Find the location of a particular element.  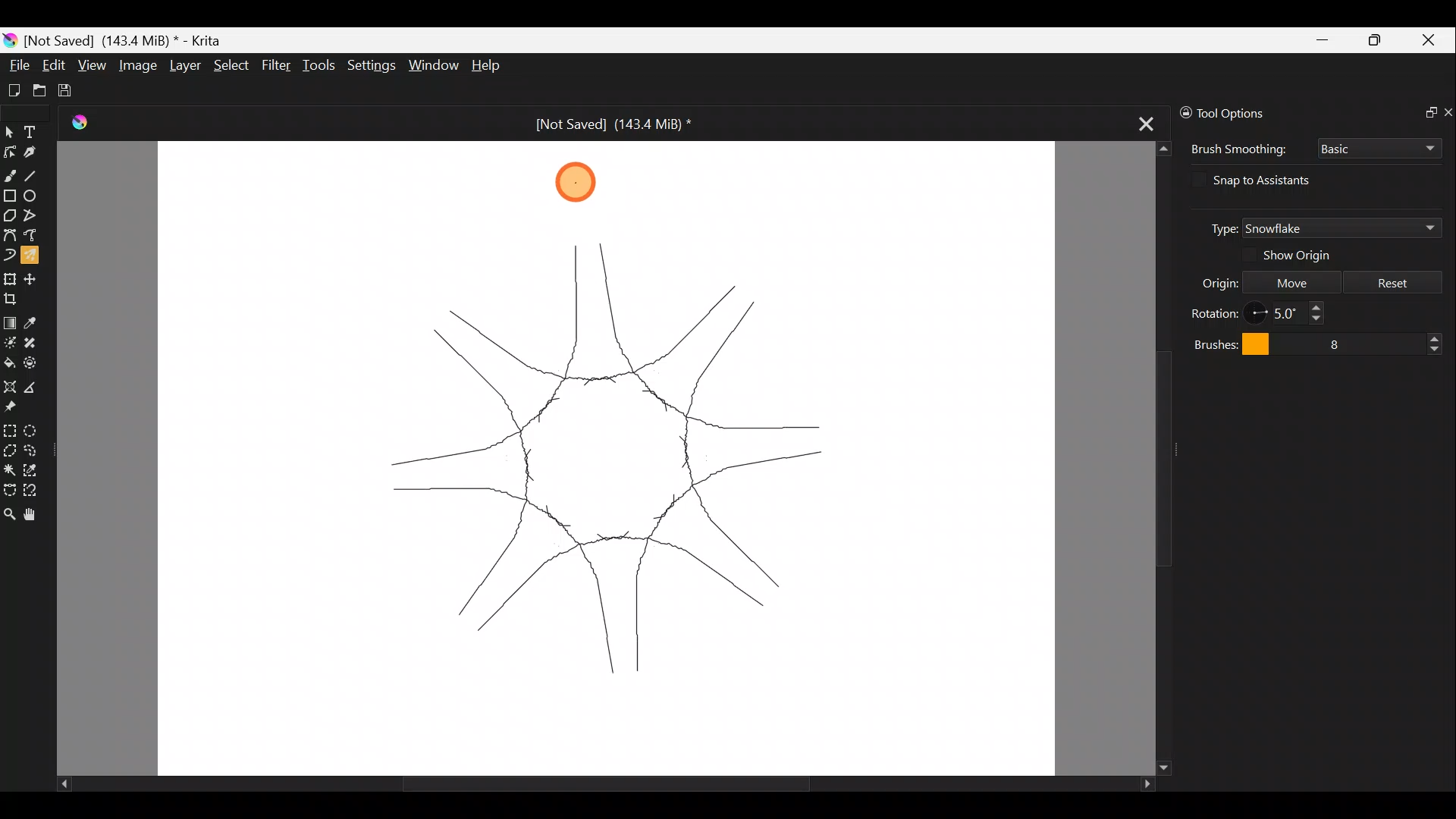

Brushes is located at coordinates (1227, 343).